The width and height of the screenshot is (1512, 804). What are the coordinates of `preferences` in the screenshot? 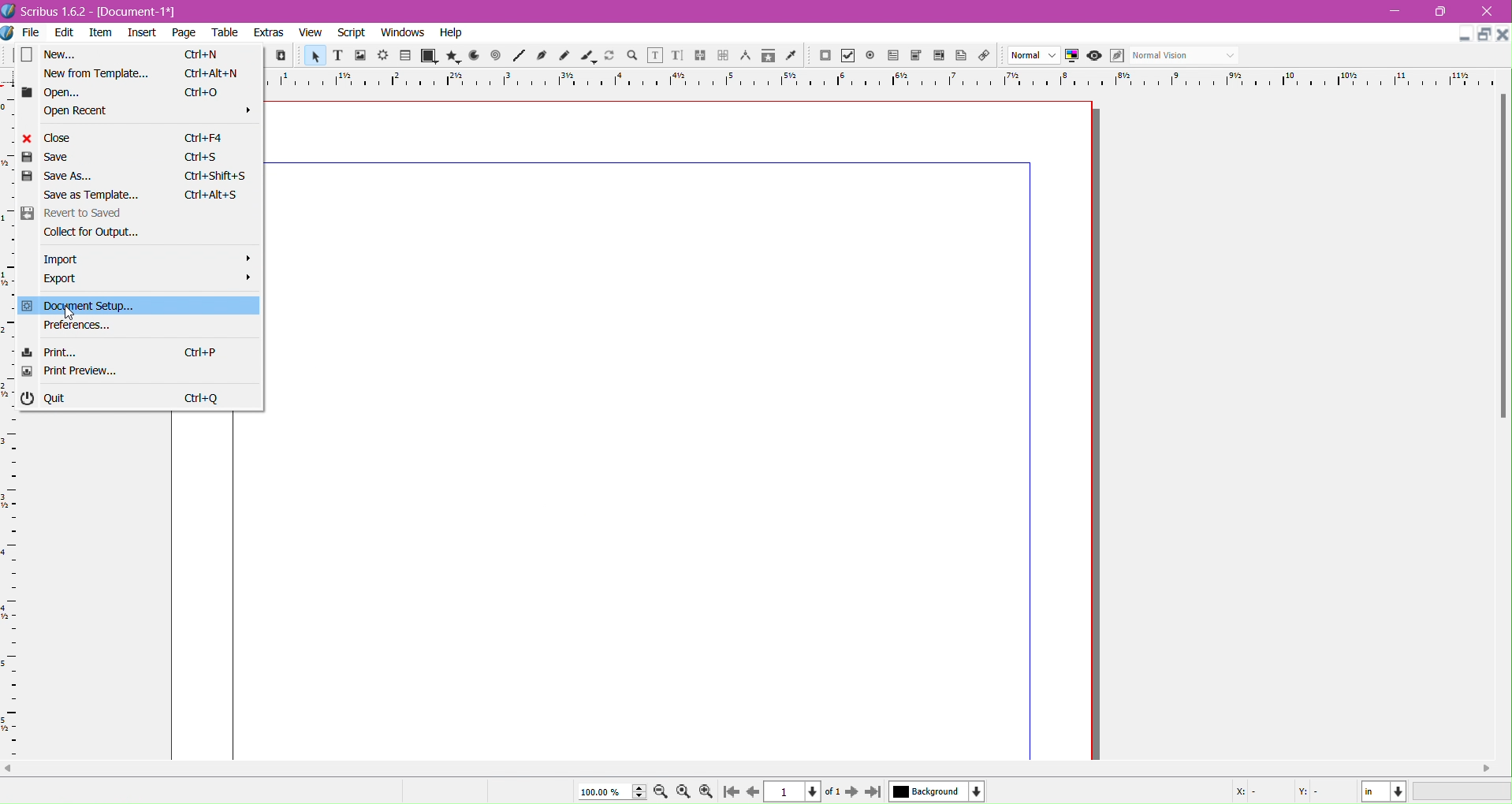 It's located at (77, 326).